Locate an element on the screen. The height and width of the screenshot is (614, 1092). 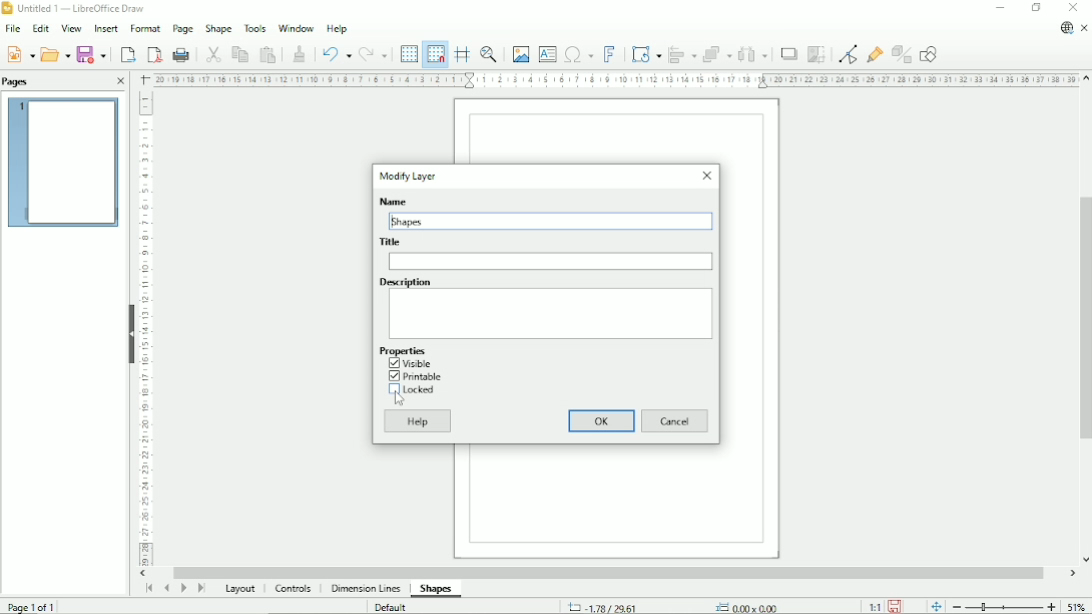
Controls is located at coordinates (296, 590).